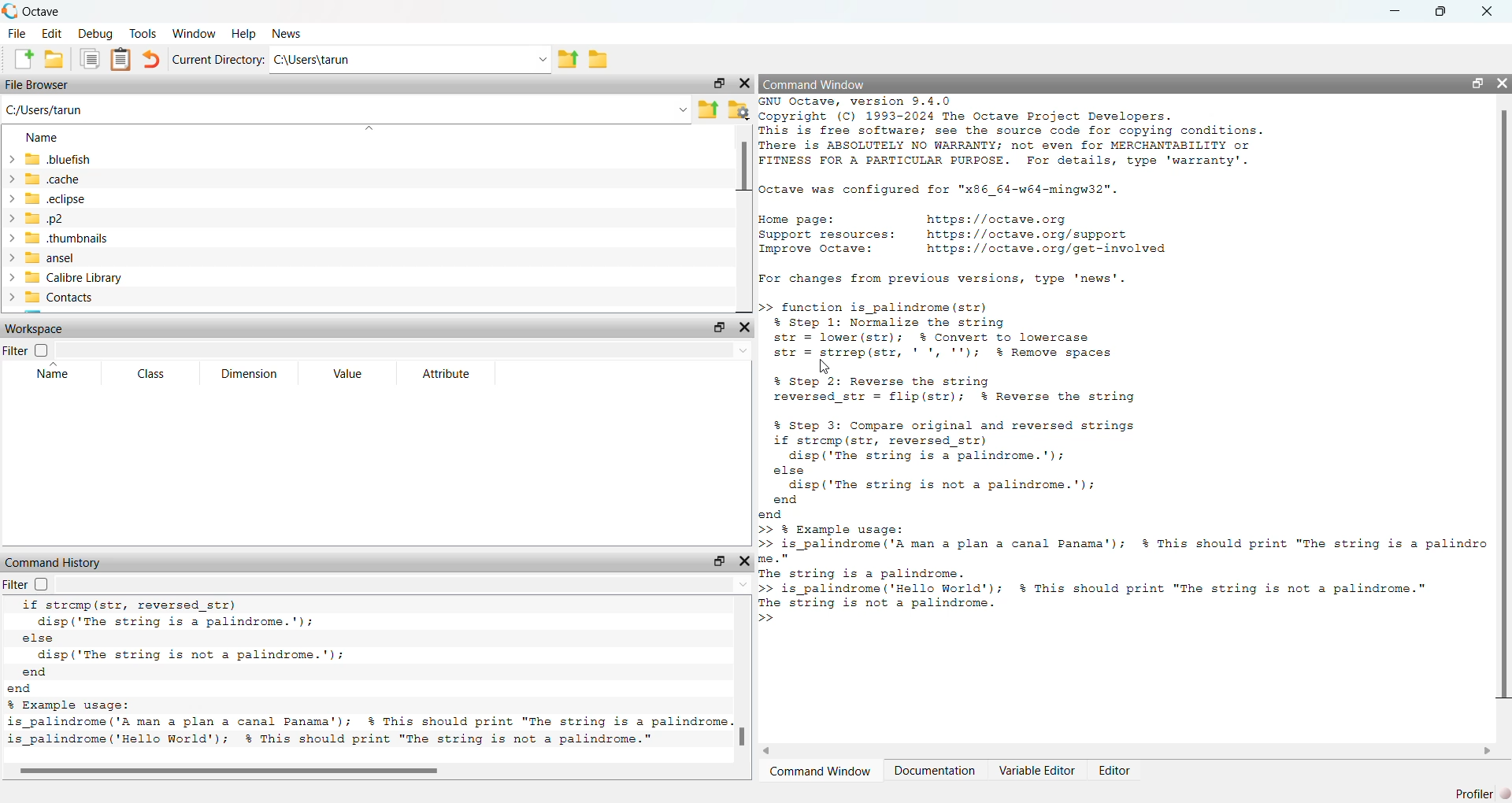 The width and height of the screenshot is (1512, 803). I want to click on octave version and date, so click(335, 739).